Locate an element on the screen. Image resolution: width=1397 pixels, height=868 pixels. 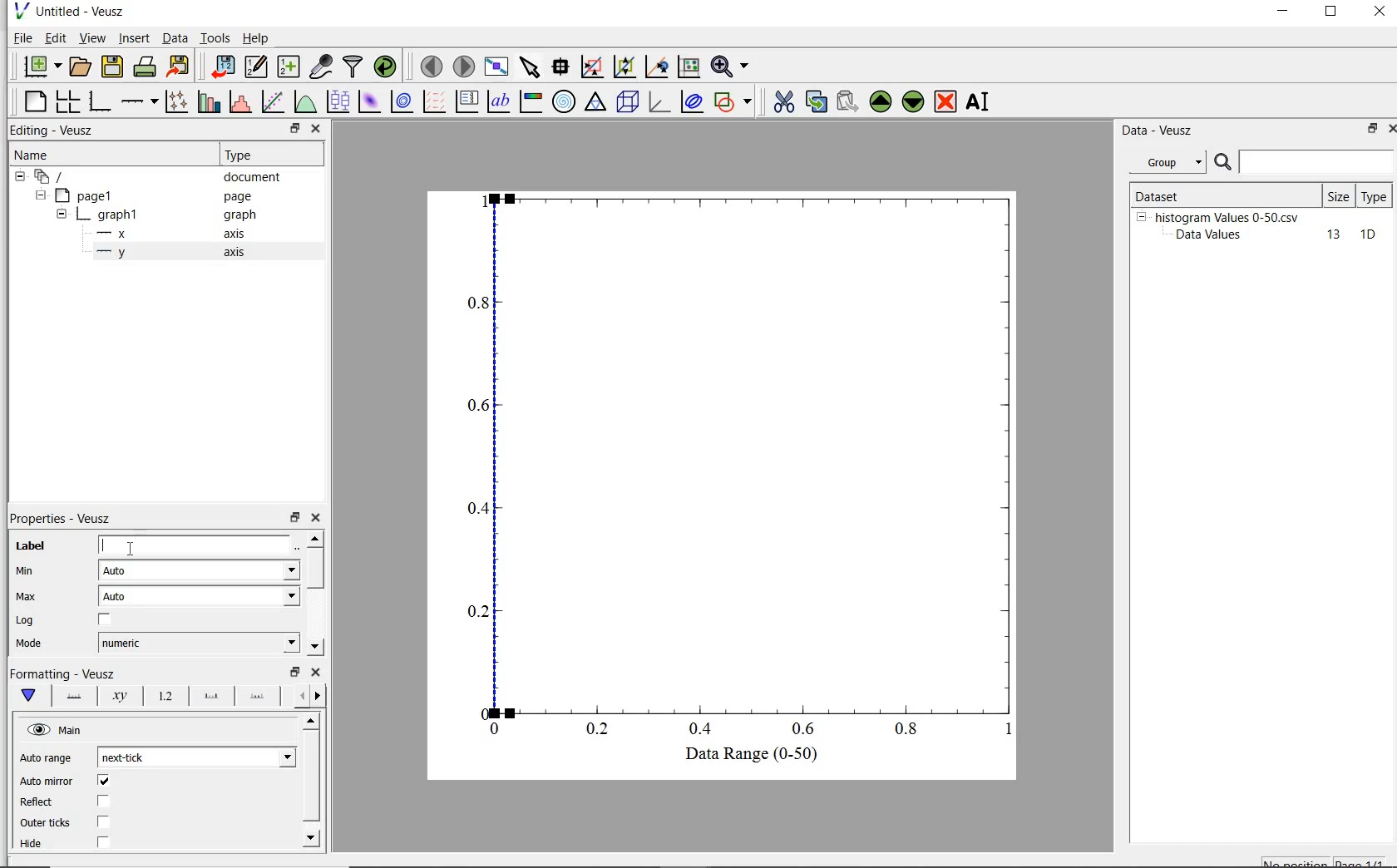
Dataset is located at coordinates (1184, 194).